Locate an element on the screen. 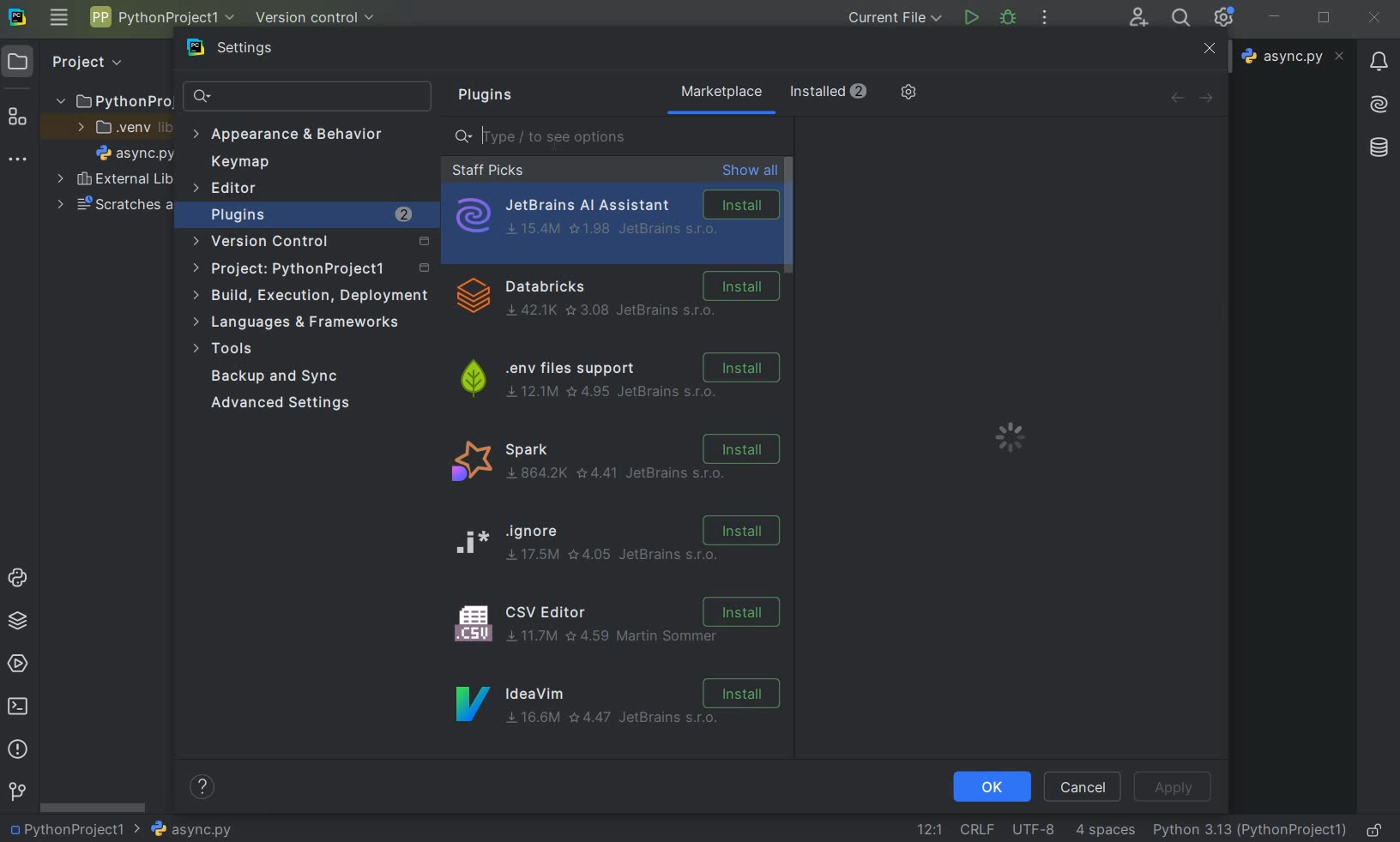 The width and height of the screenshot is (1400, 842). appearance & behavior is located at coordinates (288, 135).